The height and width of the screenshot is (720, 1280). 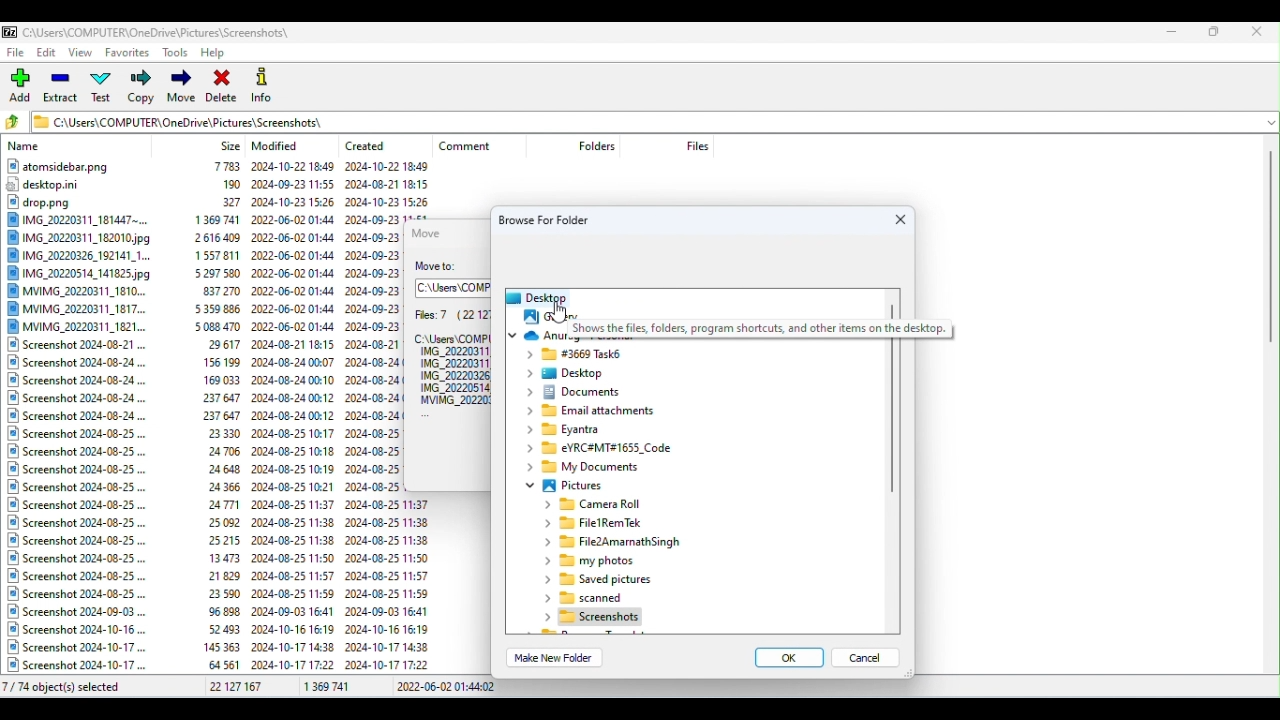 What do you see at coordinates (697, 145) in the screenshot?
I see `Files` at bounding box center [697, 145].